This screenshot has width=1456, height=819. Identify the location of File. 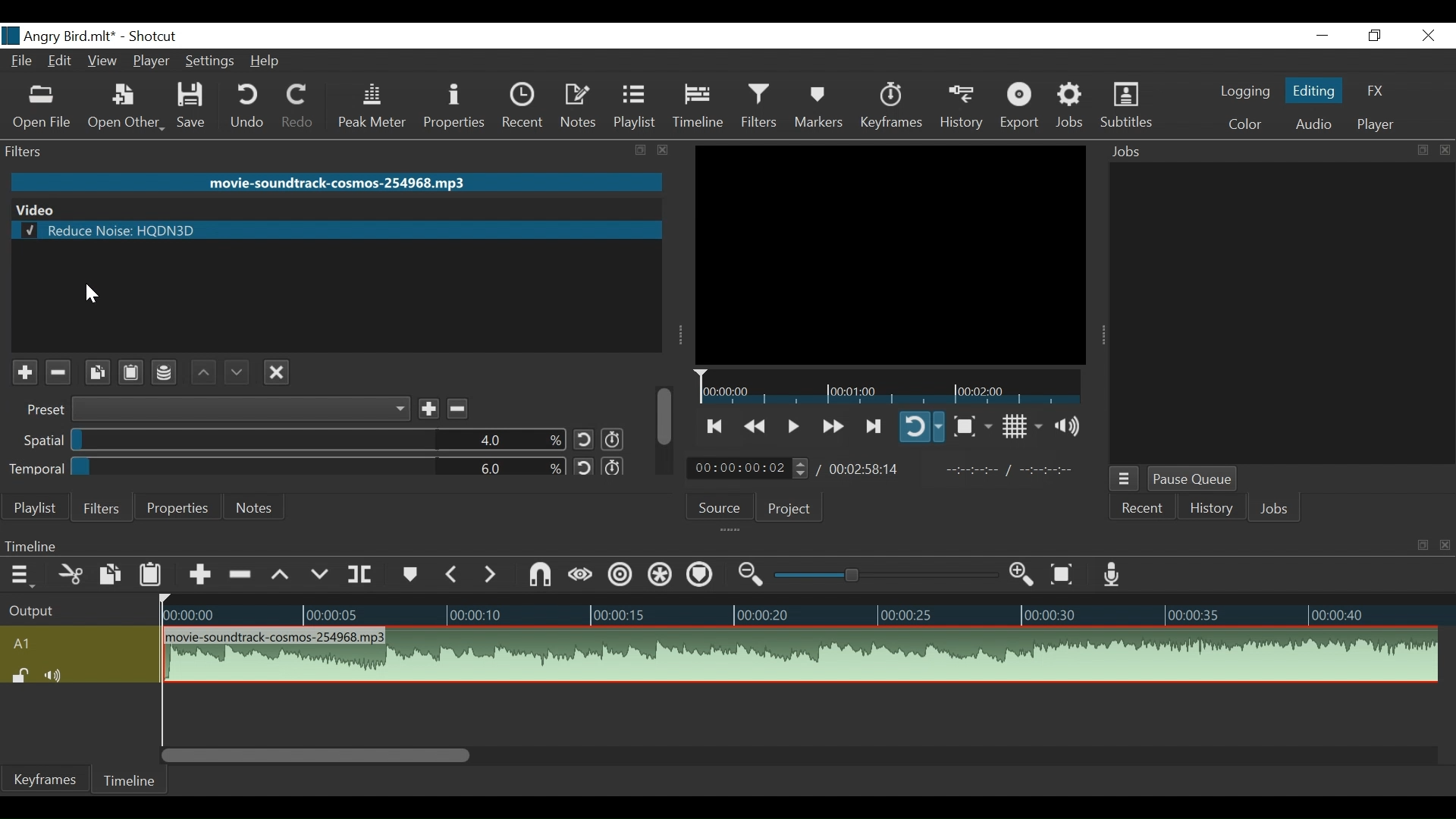
(24, 63).